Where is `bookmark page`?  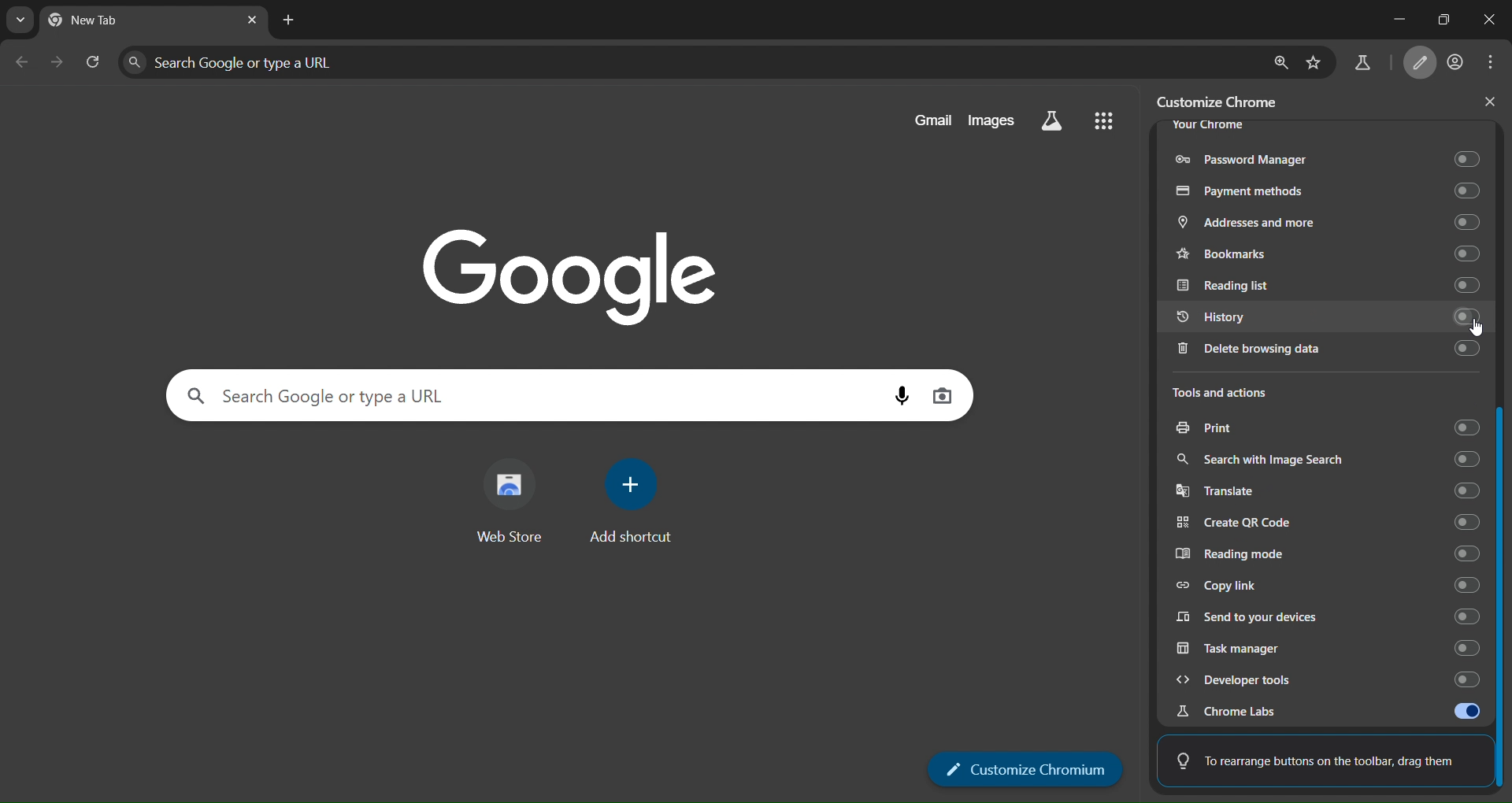 bookmark page is located at coordinates (1314, 61).